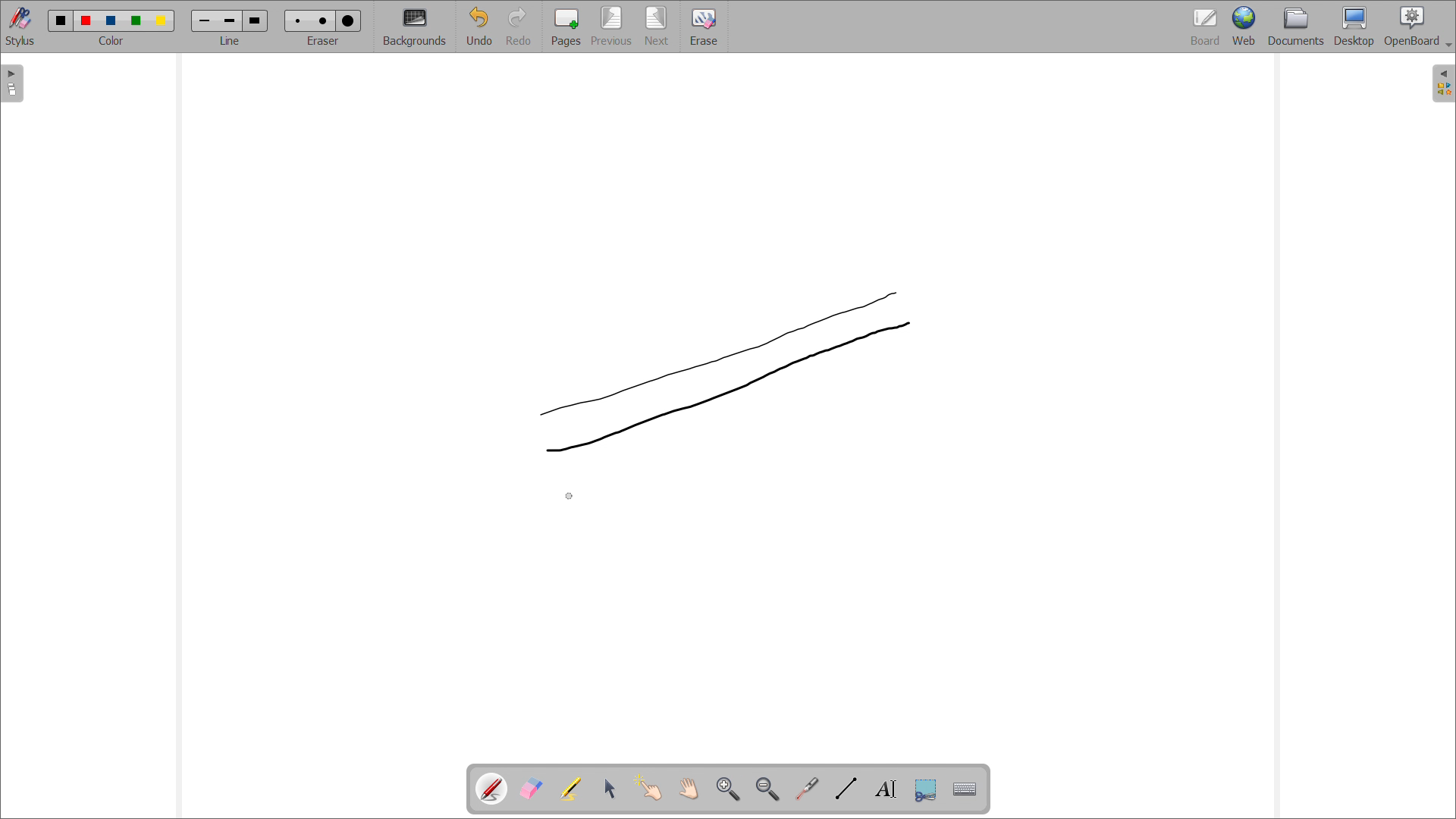 The height and width of the screenshot is (819, 1456). What do you see at coordinates (348, 21) in the screenshot?
I see `Eraser size` at bounding box center [348, 21].